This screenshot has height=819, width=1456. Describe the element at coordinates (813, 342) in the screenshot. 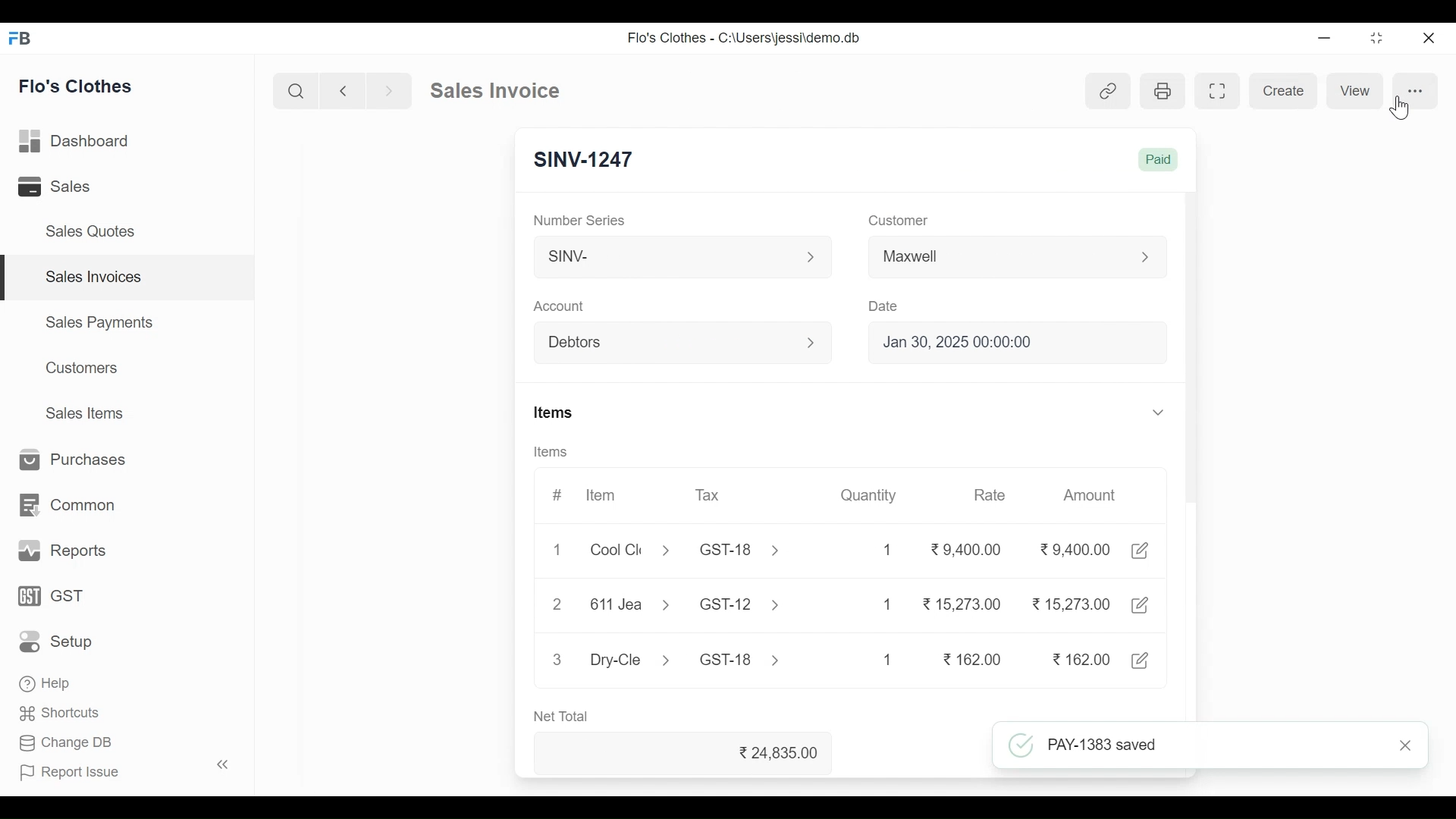

I see `Expand` at that location.